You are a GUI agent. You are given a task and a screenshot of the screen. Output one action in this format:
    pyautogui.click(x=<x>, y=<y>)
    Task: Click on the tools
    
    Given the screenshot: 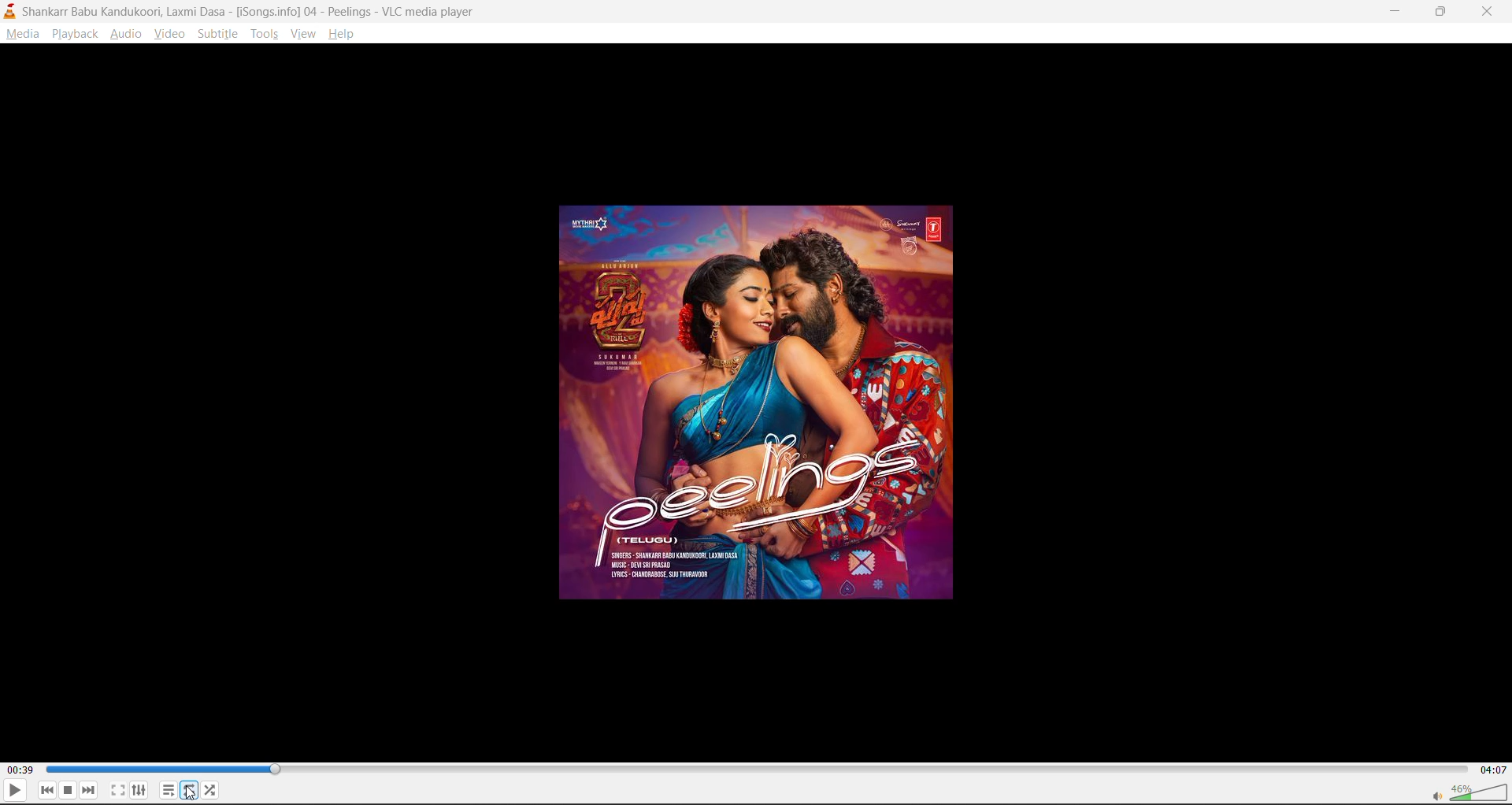 What is the action you would take?
    pyautogui.click(x=267, y=35)
    